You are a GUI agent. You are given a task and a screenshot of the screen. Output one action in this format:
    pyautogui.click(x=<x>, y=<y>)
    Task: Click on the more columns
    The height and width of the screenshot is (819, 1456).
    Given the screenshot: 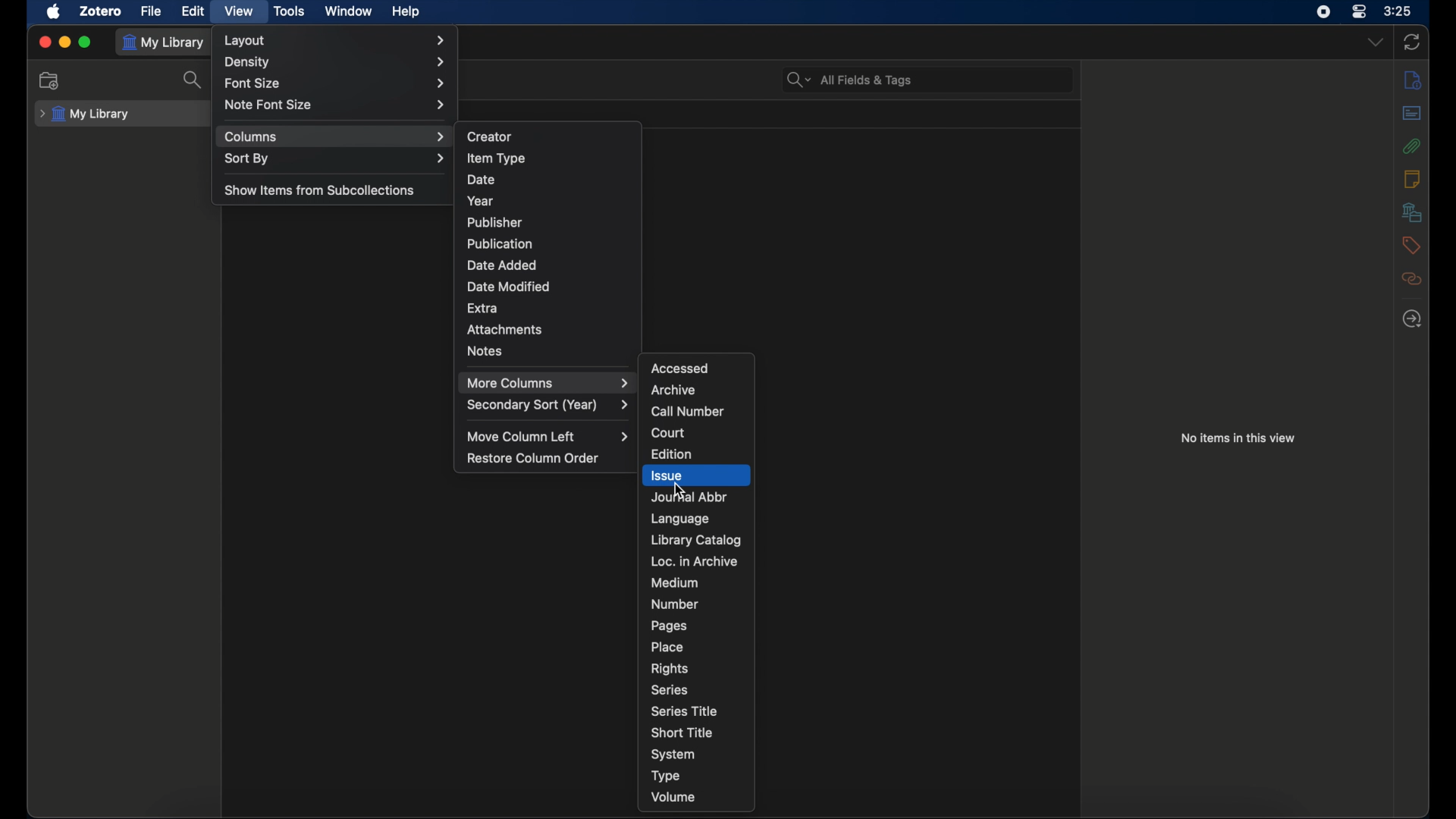 What is the action you would take?
    pyautogui.click(x=546, y=382)
    